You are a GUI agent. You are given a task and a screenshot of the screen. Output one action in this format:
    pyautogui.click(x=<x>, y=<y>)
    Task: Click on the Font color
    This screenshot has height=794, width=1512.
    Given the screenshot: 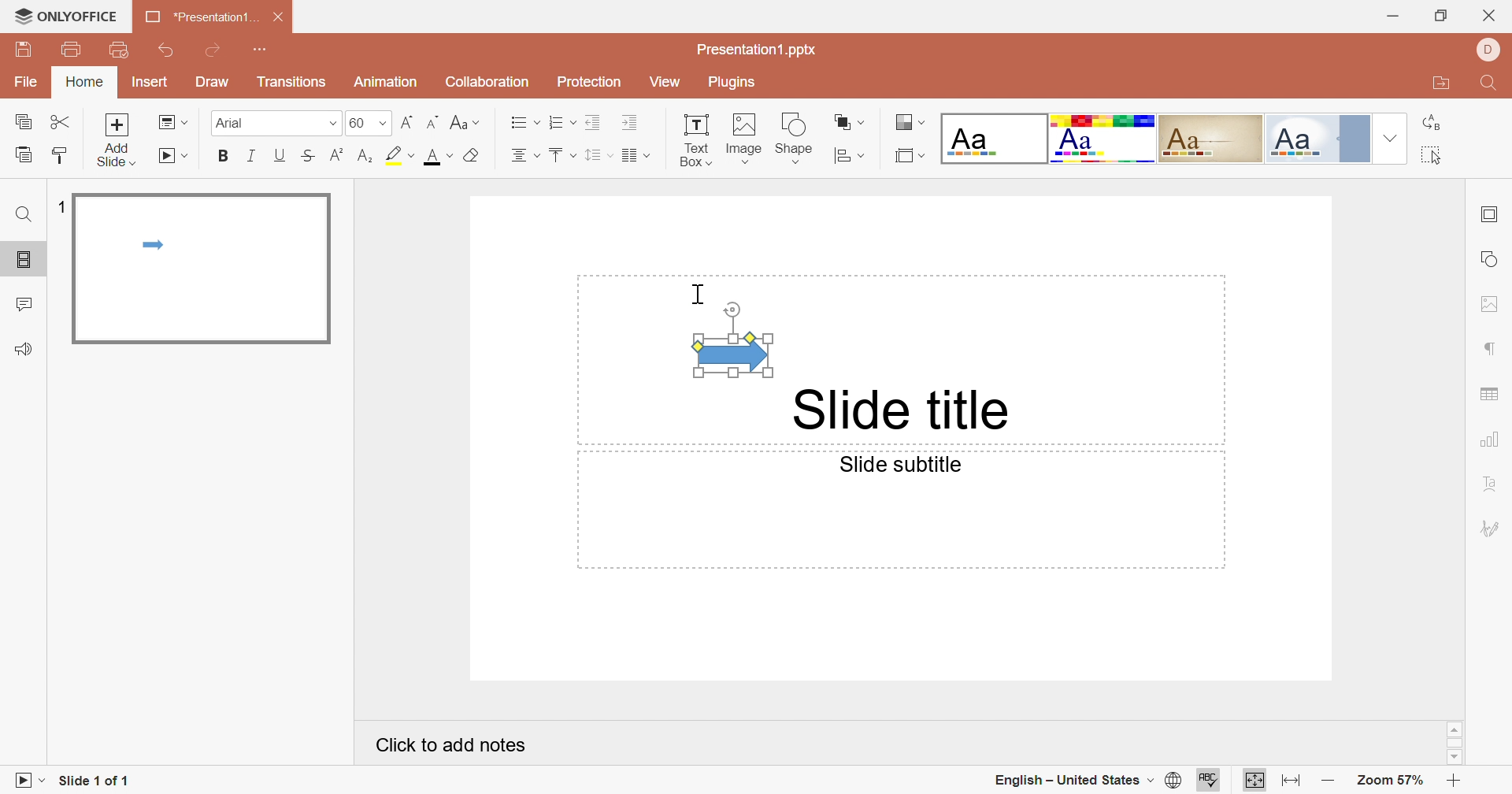 What is the action you would take?
    pyautogui.click(x=438, y=157)
    